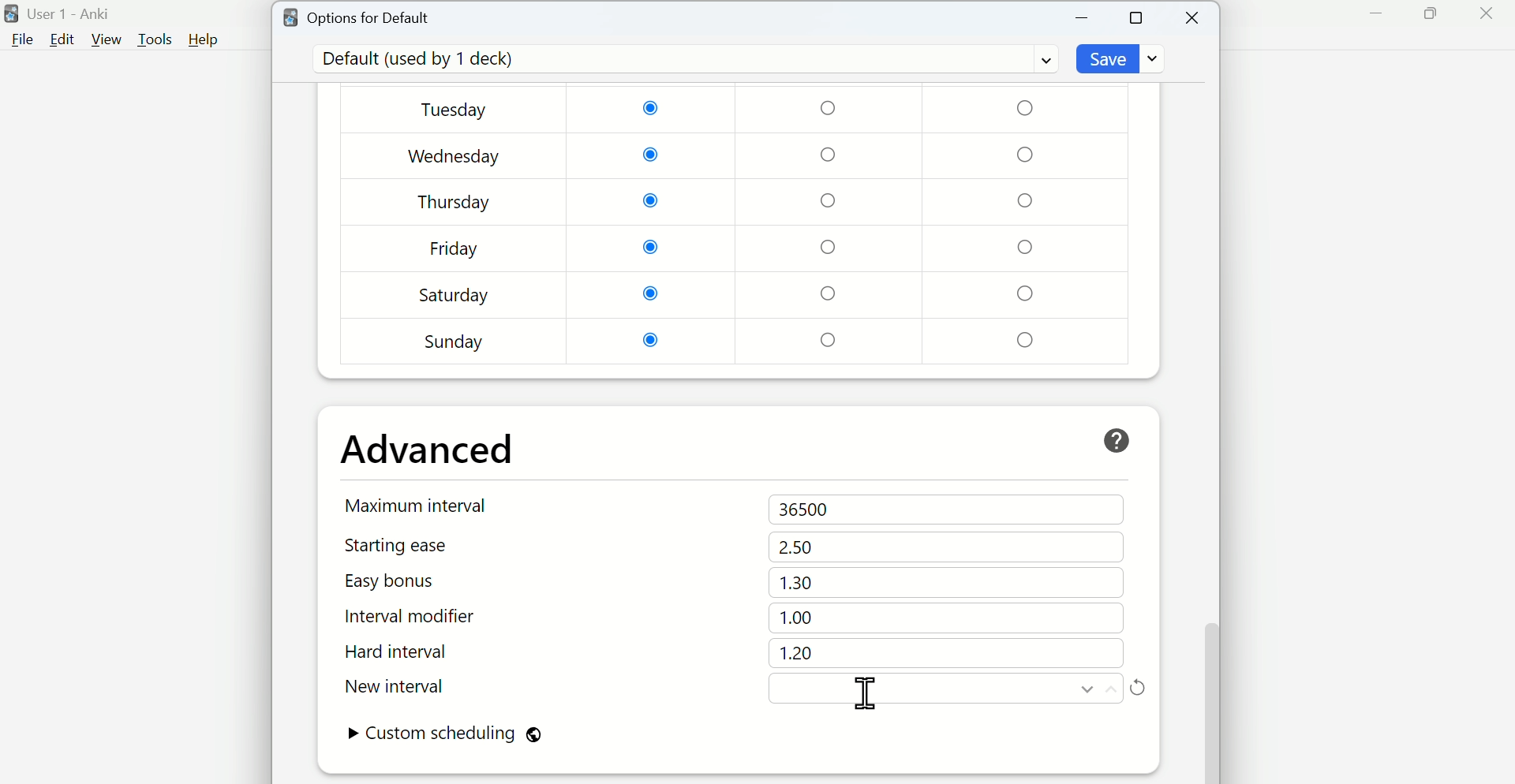  What do you see at coordinates (1138, 686) in the screenshot?
I see `Refresh` at bounding box center [1138, 686].